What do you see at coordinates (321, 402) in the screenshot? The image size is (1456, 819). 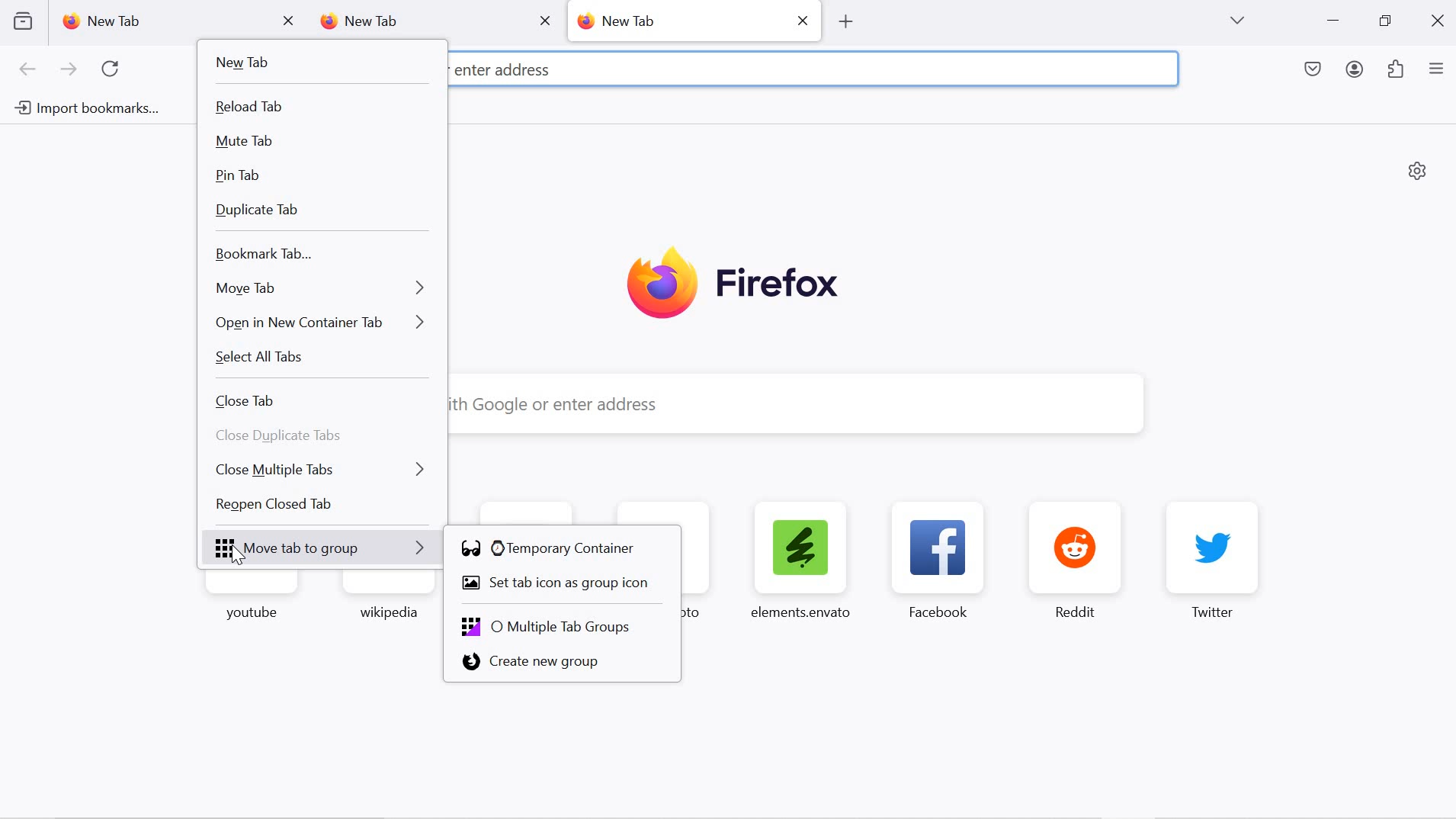 I see `close tab` at bounding box center [321, 402].